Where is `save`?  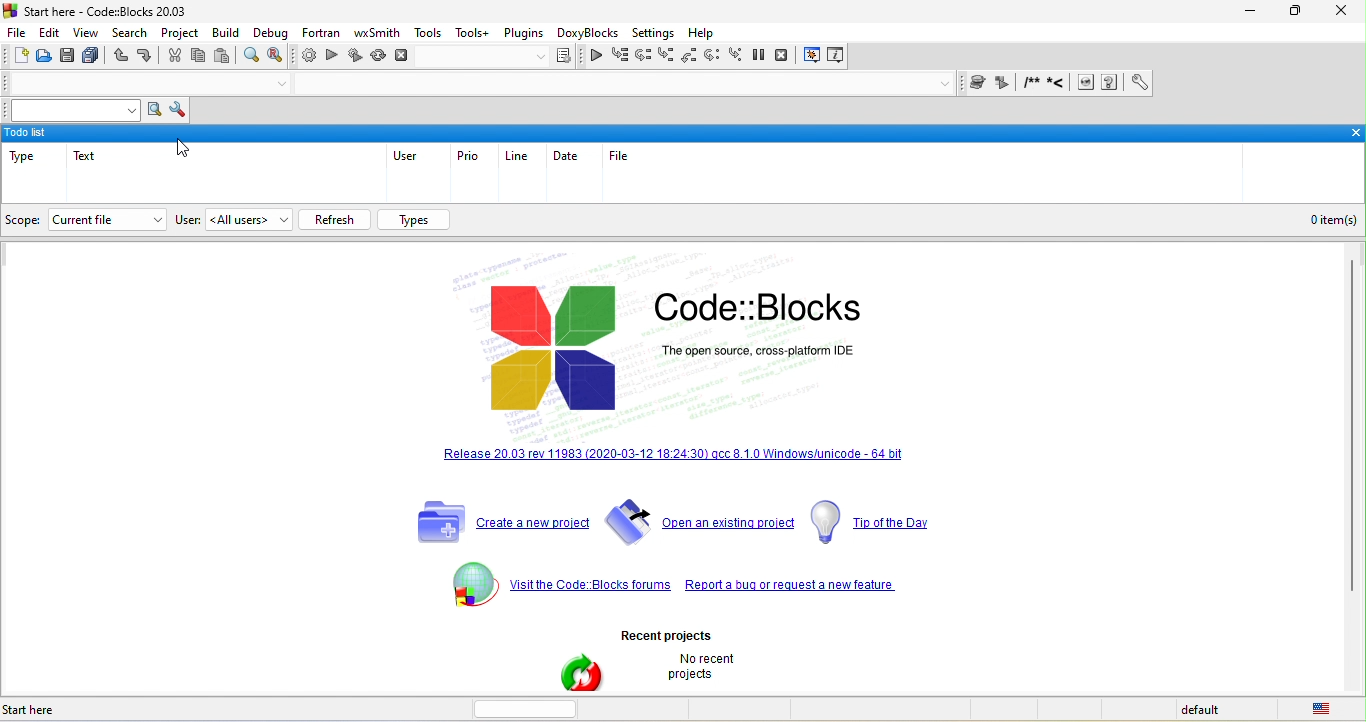 save is located at coordinates (70, 56).